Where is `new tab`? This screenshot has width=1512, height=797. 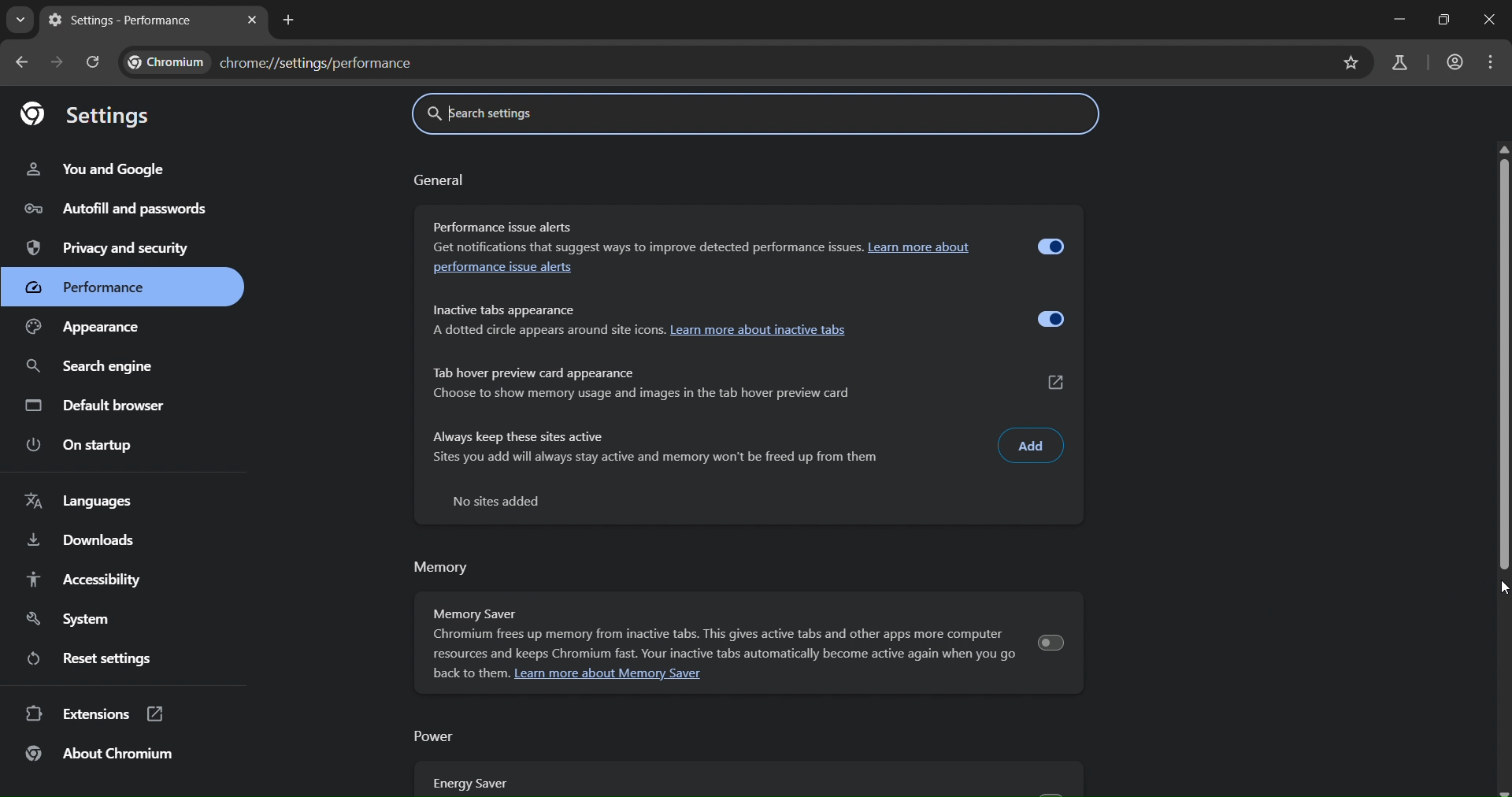 new tab is located at coordinates (288, 21).